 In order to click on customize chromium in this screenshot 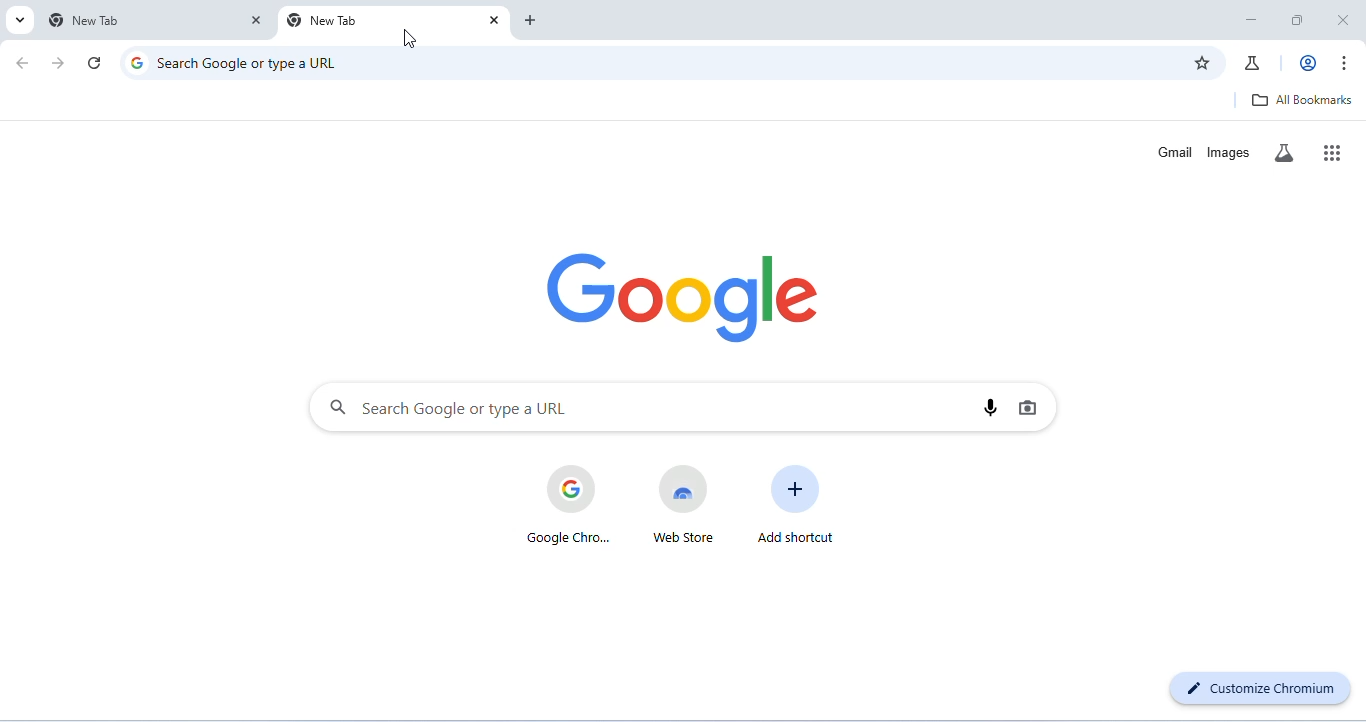, I will do `click(1260, 686)`.